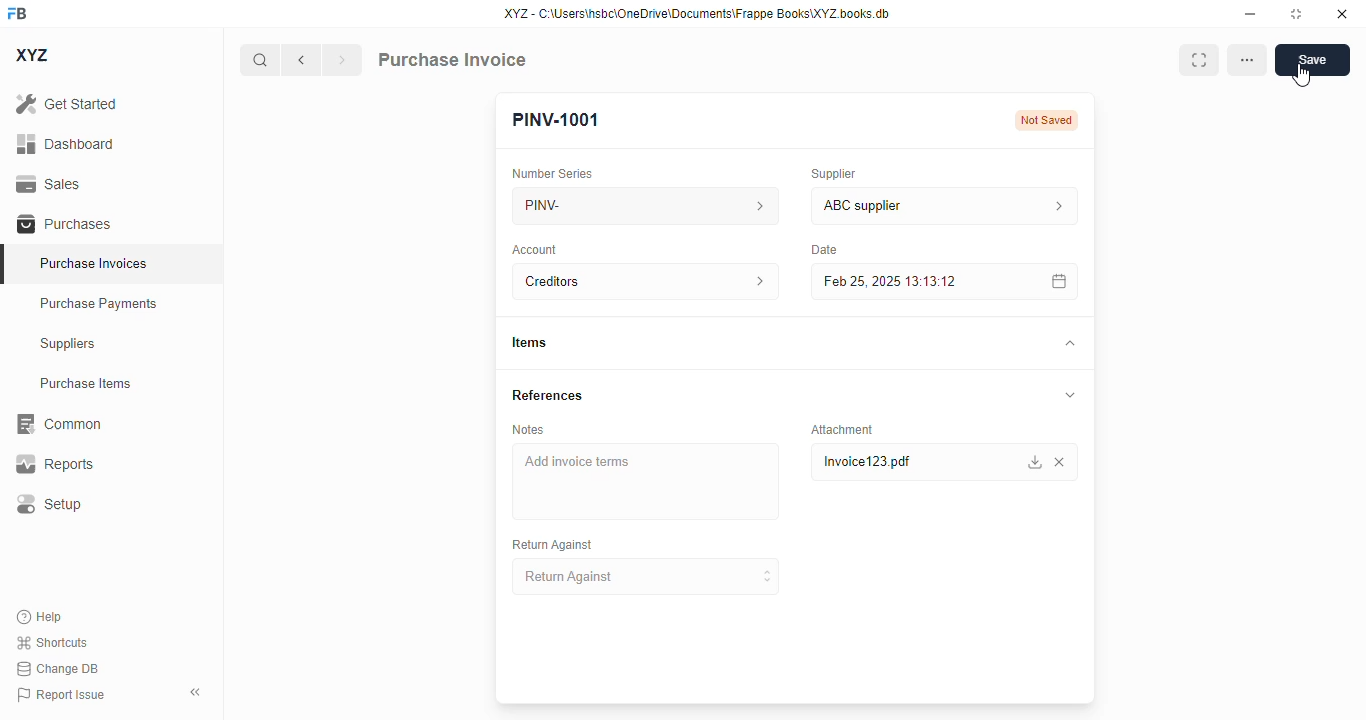 This screenshot has height=720, width=1366. I want to click on purchase items, so click(86, 383).